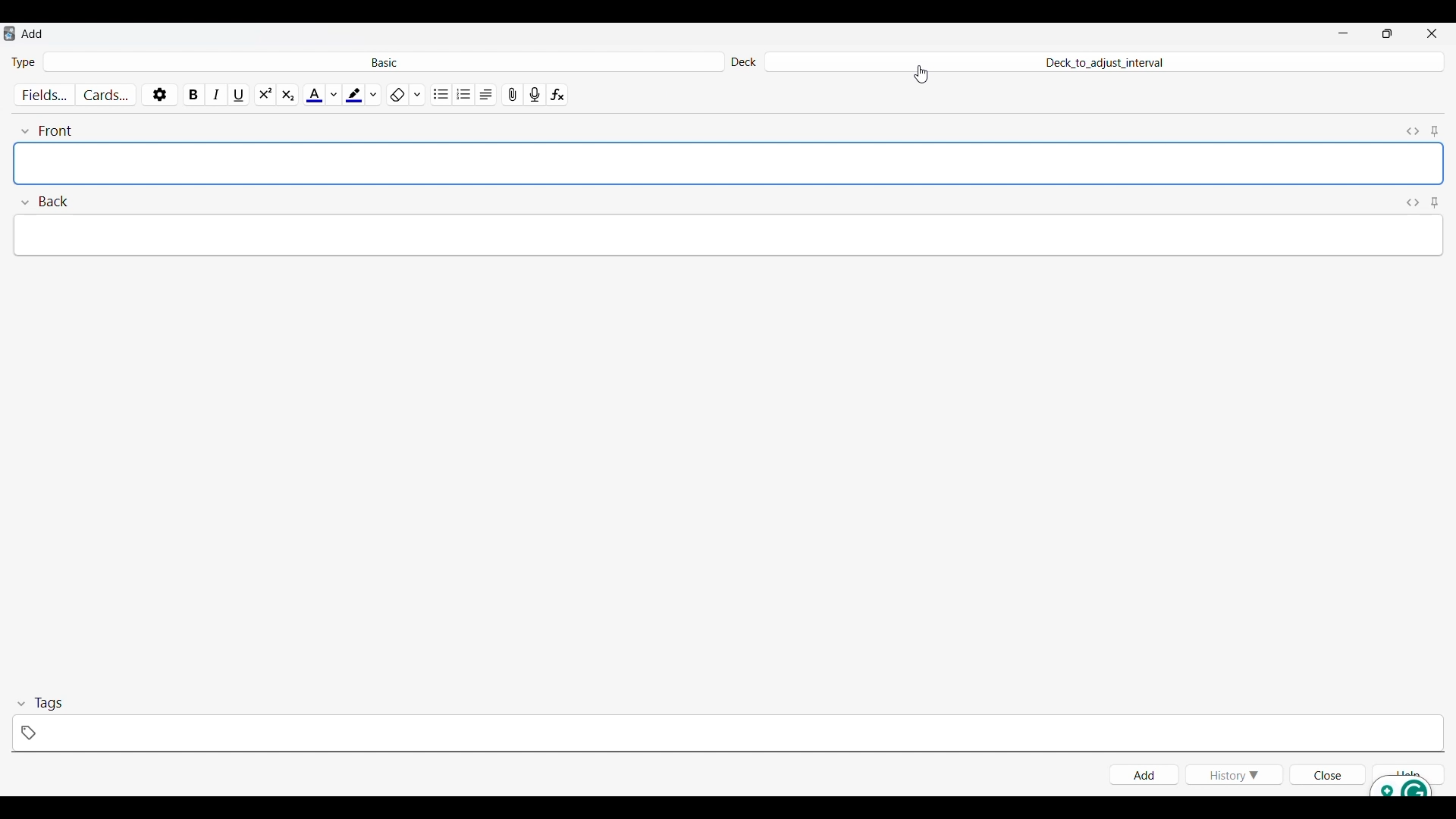  I want to click on Type in text, so click(726, 234).